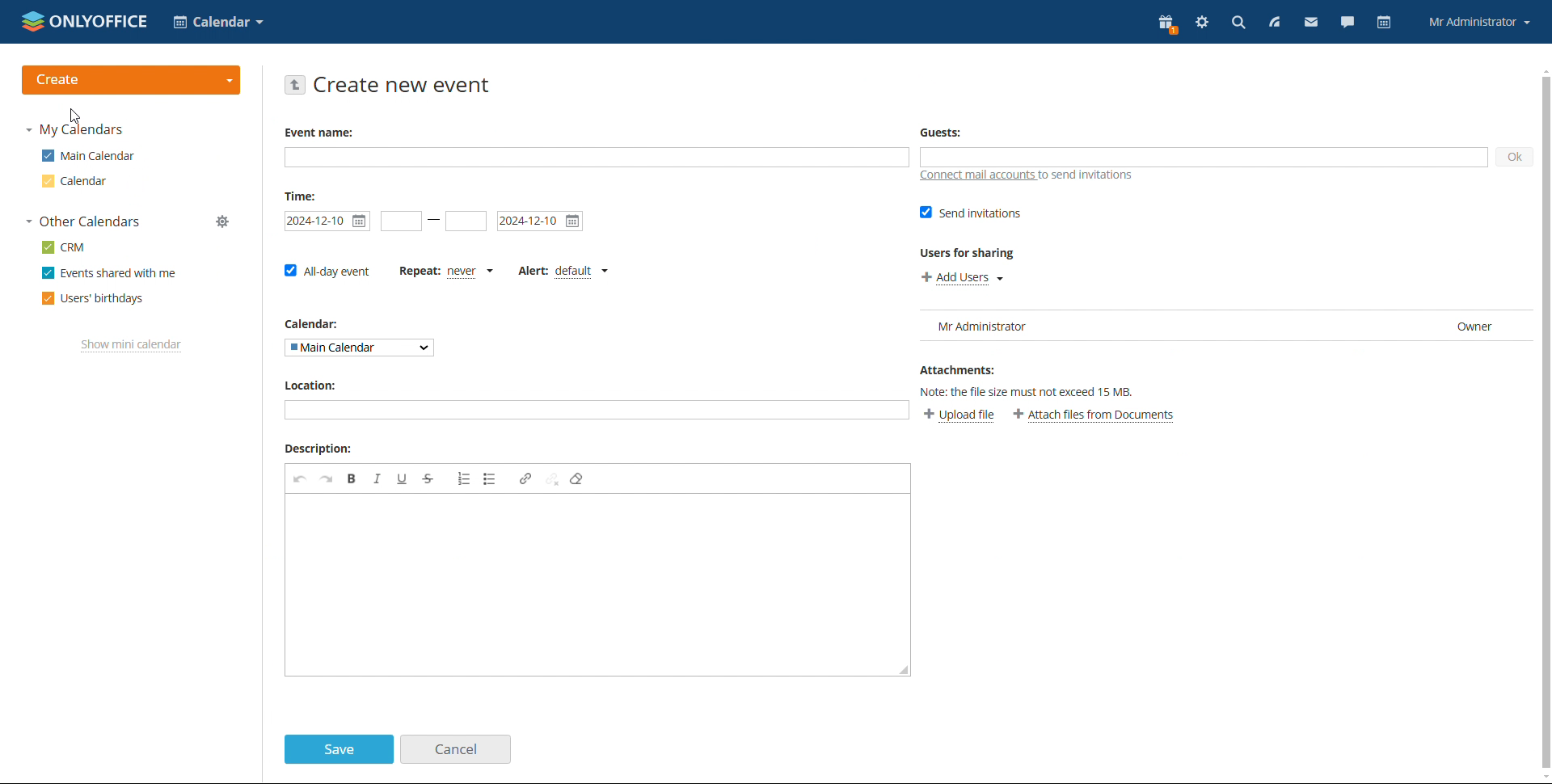 This screenshot has width=1552, height=784. I want to click on onlyoffice, so click(101, 22).